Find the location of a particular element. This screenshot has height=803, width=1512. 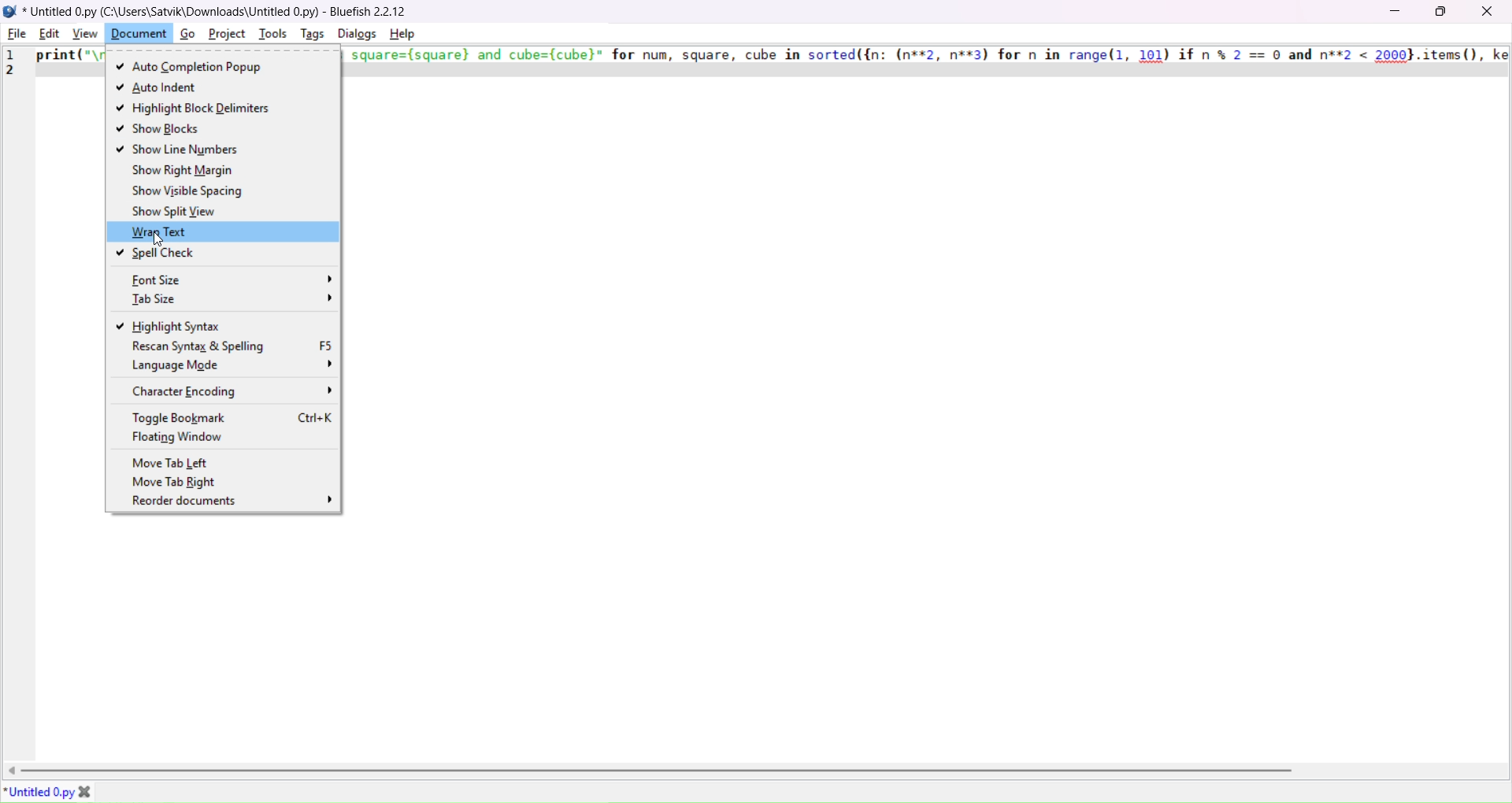

tab name is located at coordinates (39, 793).